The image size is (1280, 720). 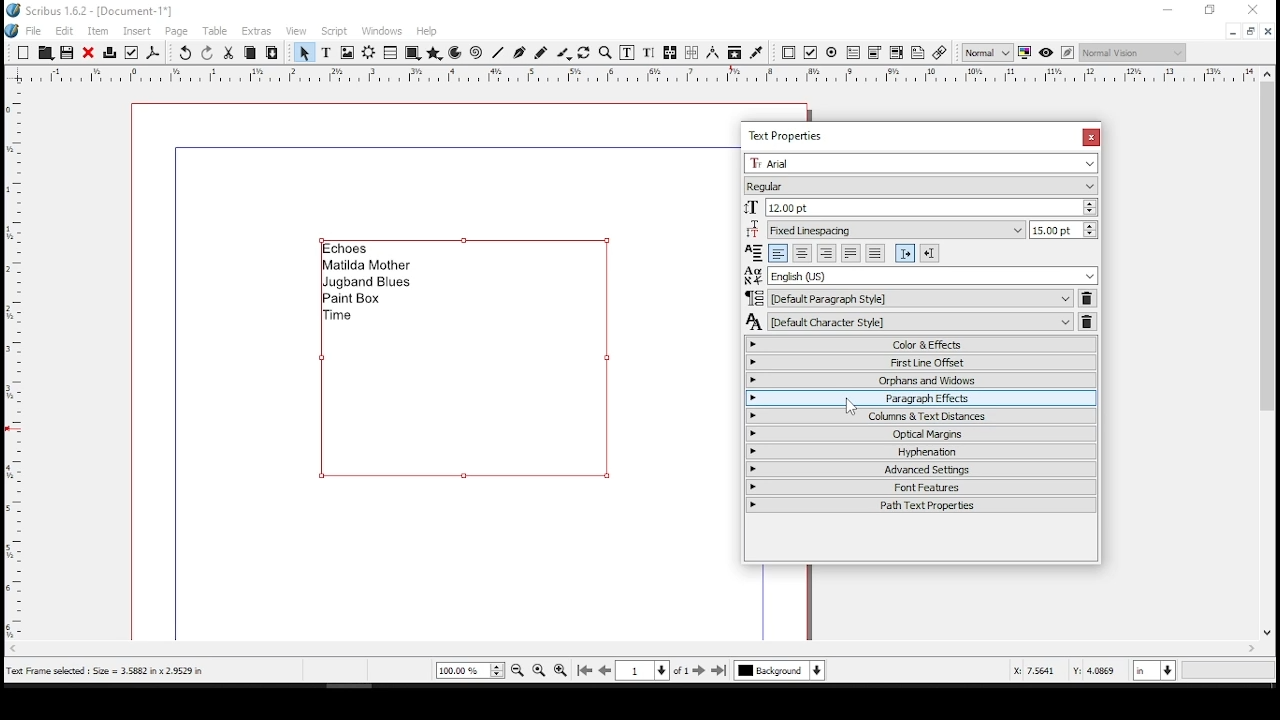 I want to click on restore, so click(x=1211, y=10).